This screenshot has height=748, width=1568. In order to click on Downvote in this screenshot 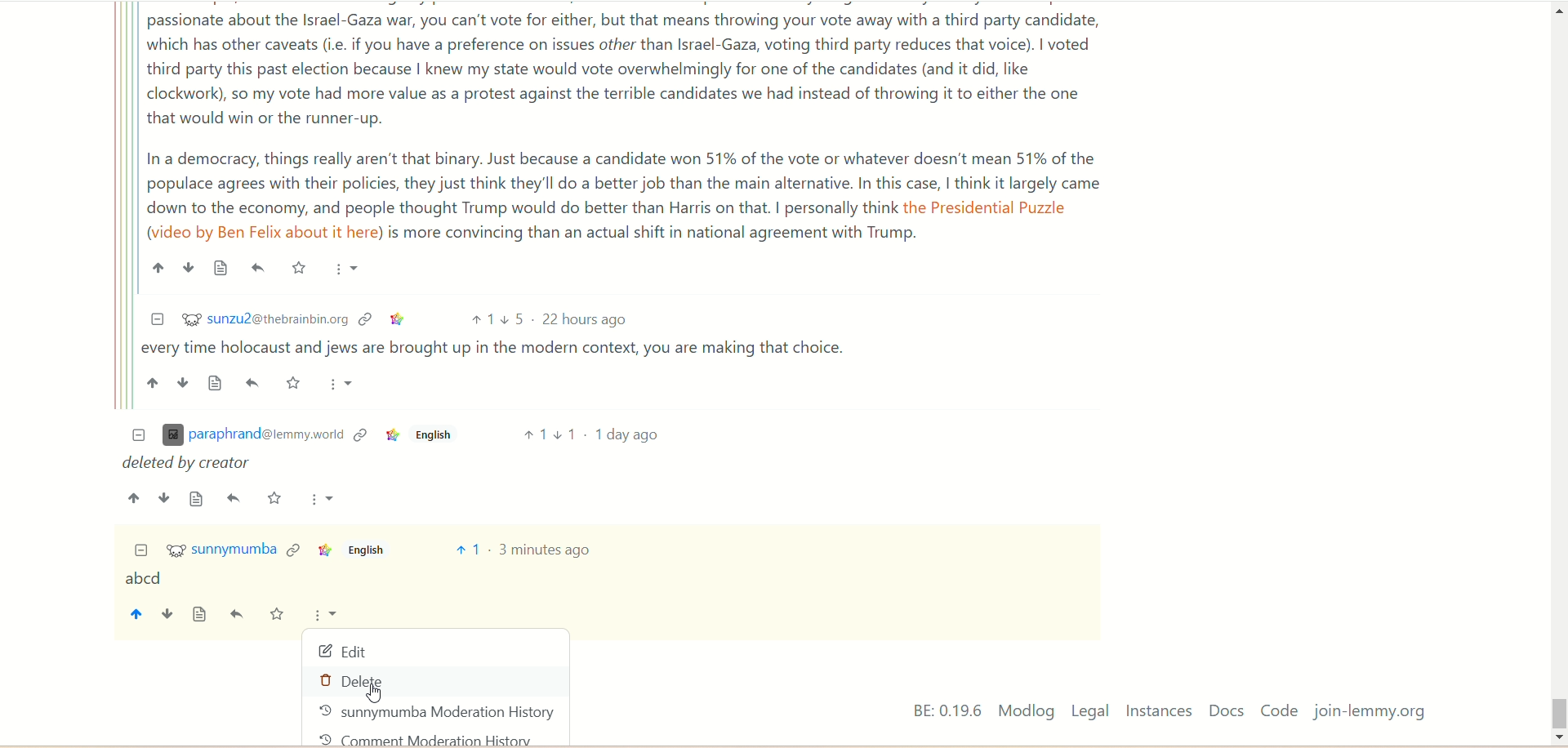, I will do `click(188, 267)`.